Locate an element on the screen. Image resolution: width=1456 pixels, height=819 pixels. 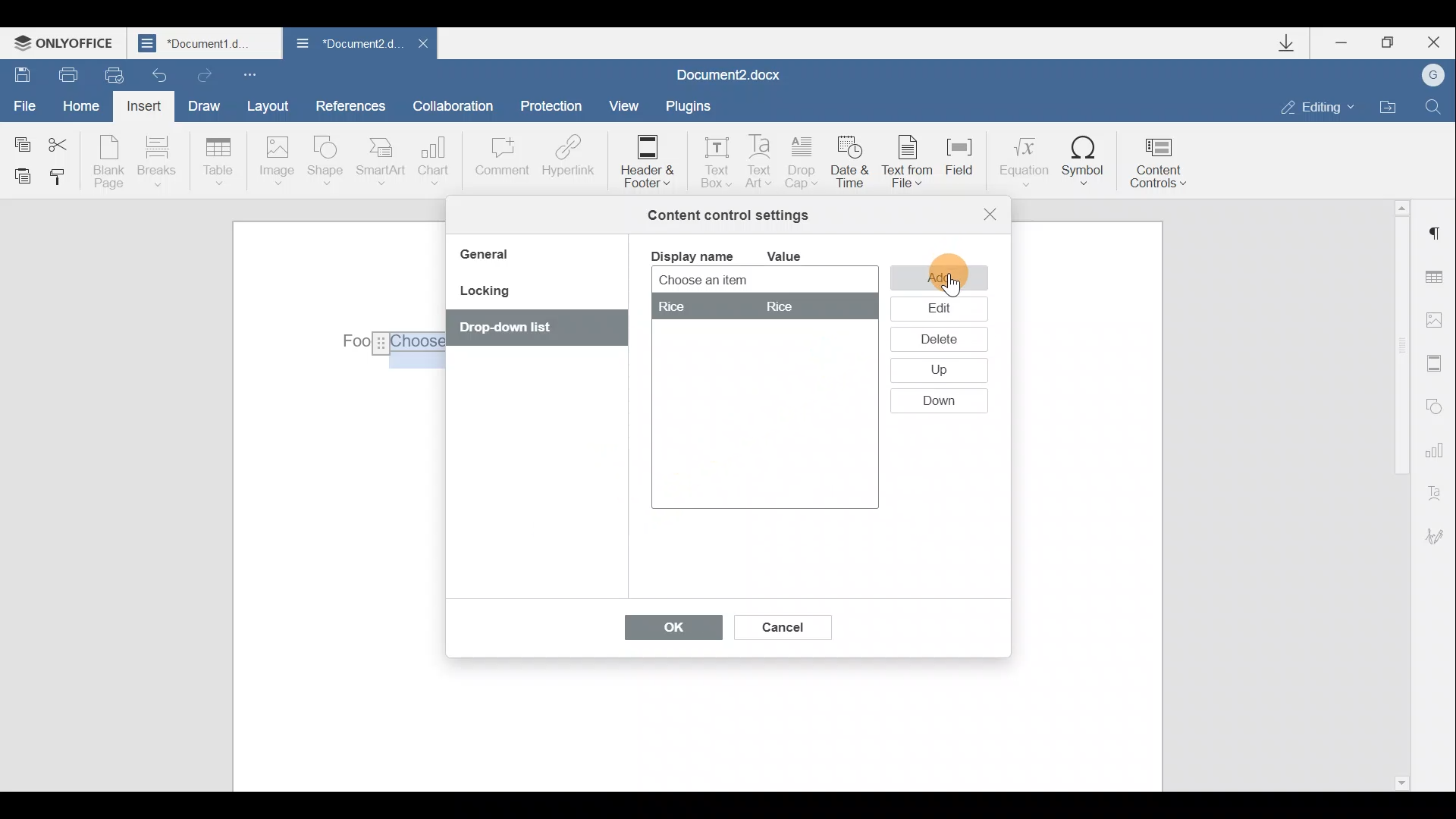
Value is located at coordinates (796, 256).